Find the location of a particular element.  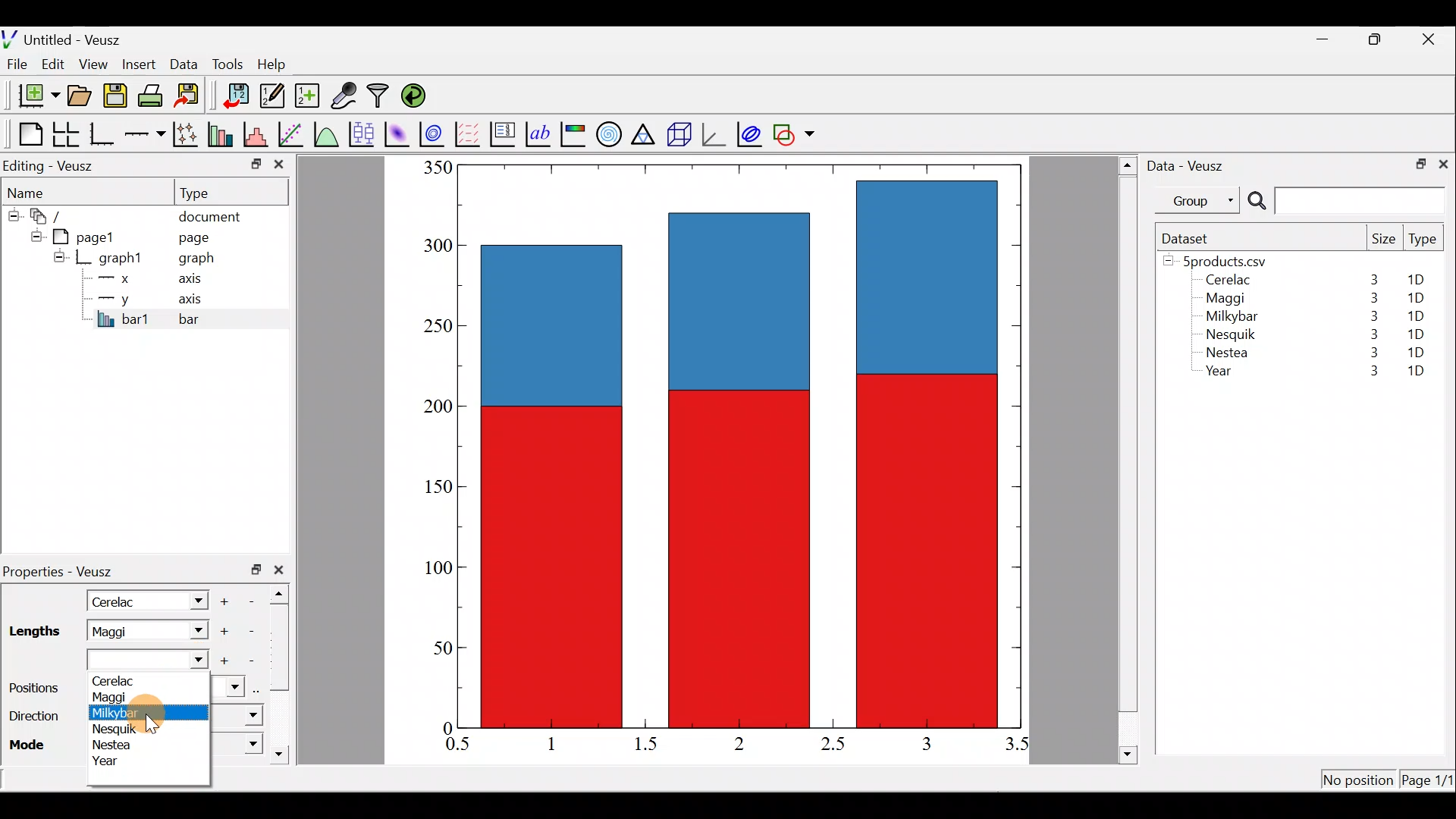

Plot key is located at coordinates (504, 133).